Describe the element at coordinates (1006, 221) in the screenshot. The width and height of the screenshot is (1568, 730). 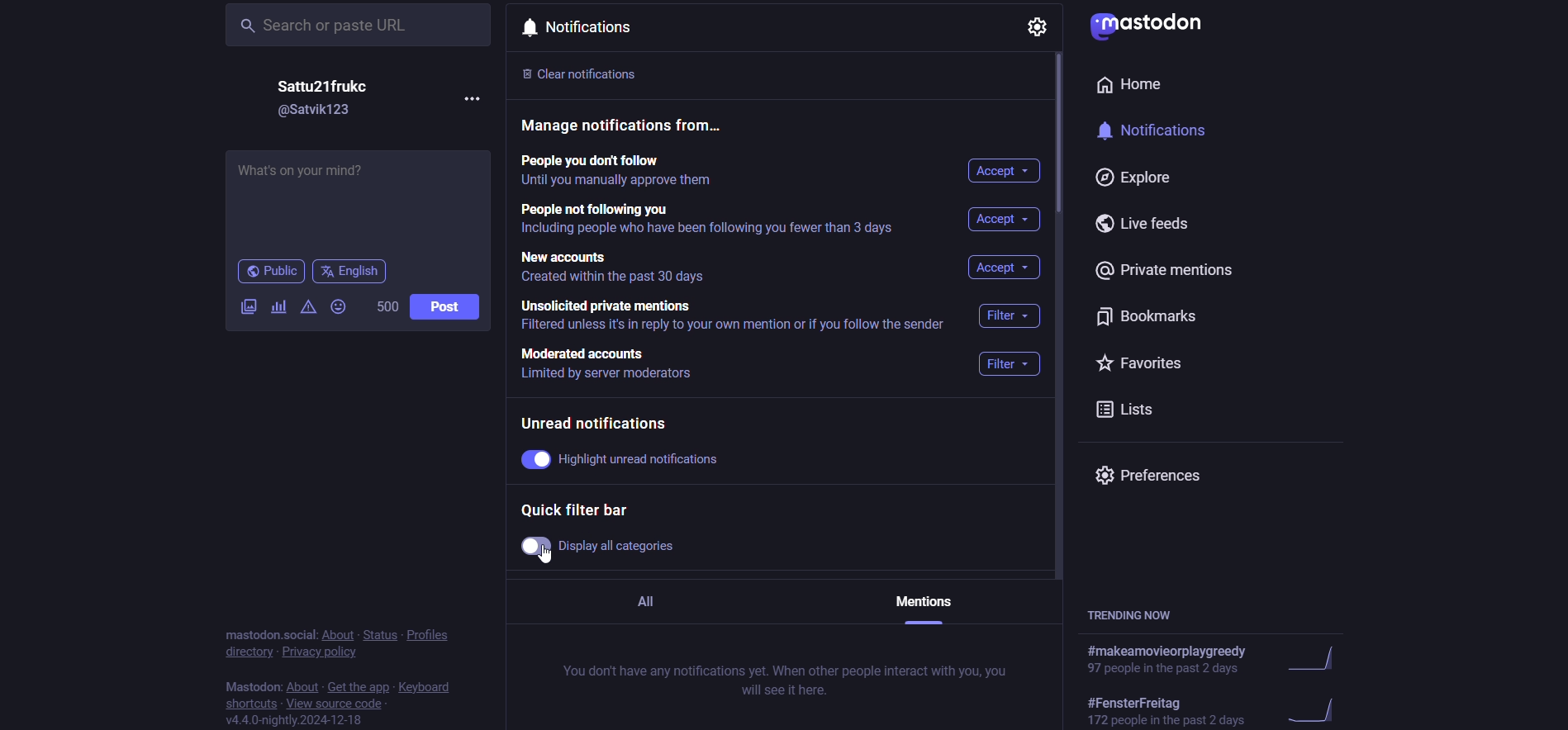
I see `Accept` at that location.